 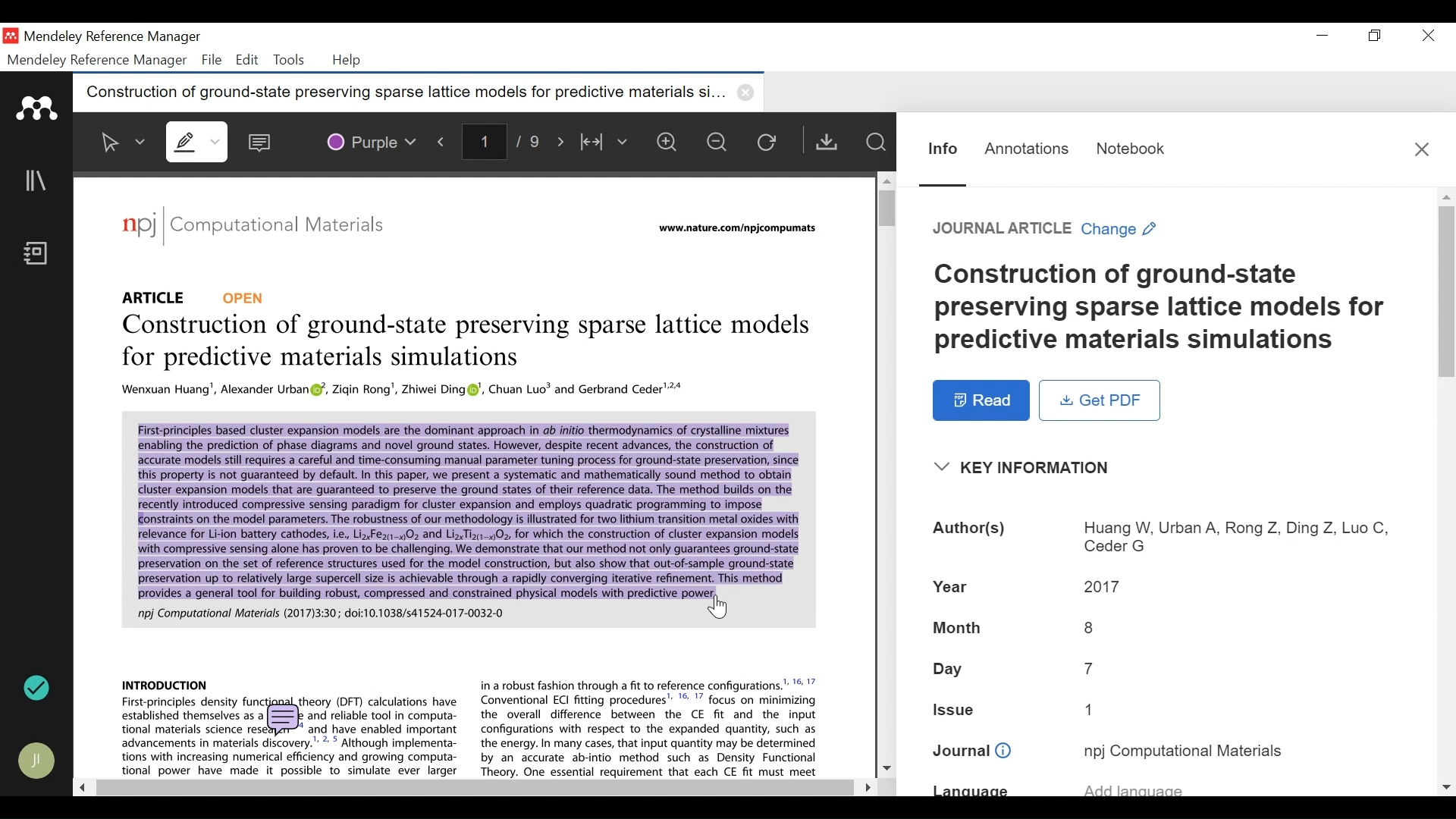 What do you see at coordinates (467, 519) in the screenshot?
I see `PDF Context` at bounding box center [467, 519].